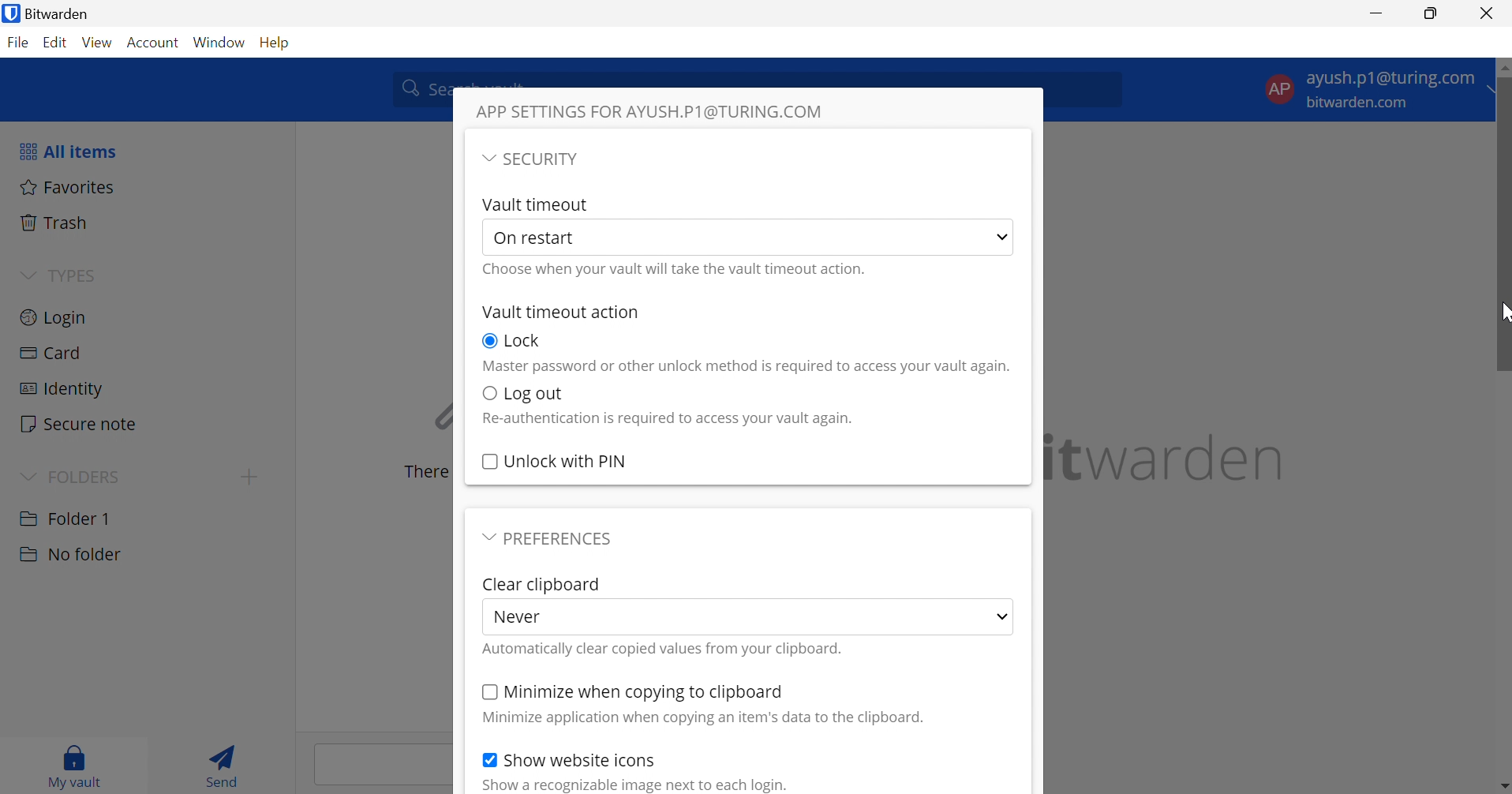 The height and width of the screenshot is (794, 1512). What do you see at coordinates (227, 764) in the screenshot?
I see `Send` at bounding box center [227, 764].